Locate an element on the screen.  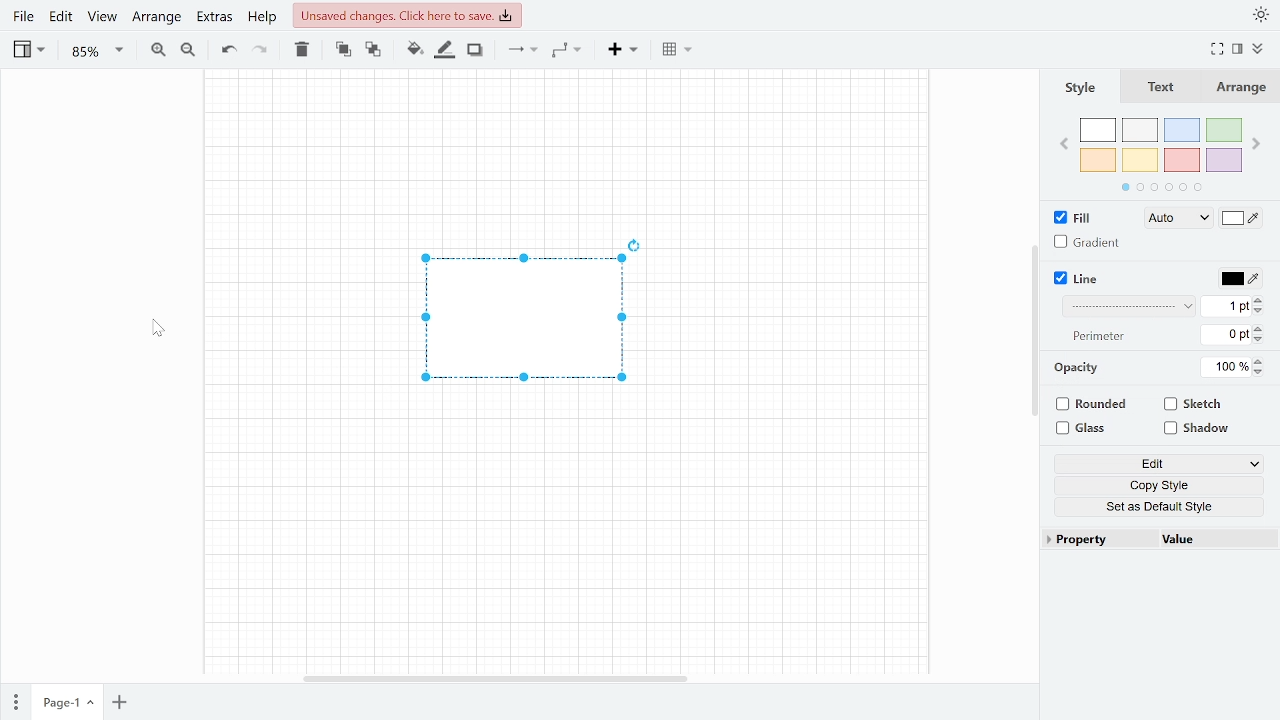
Zoom out is located at coordinates (186, 50).